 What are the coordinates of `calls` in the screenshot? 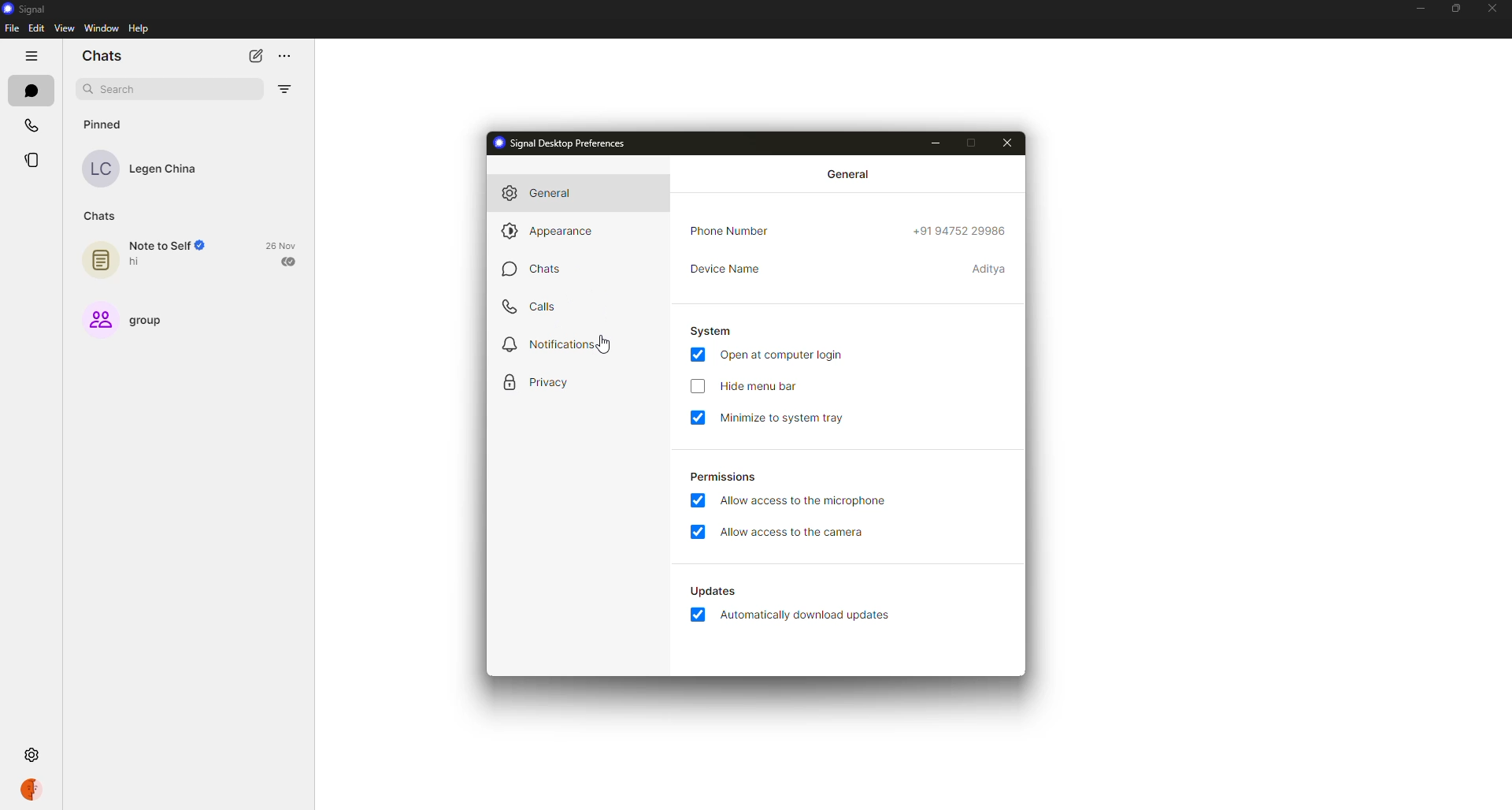 It's located at (532, 306).